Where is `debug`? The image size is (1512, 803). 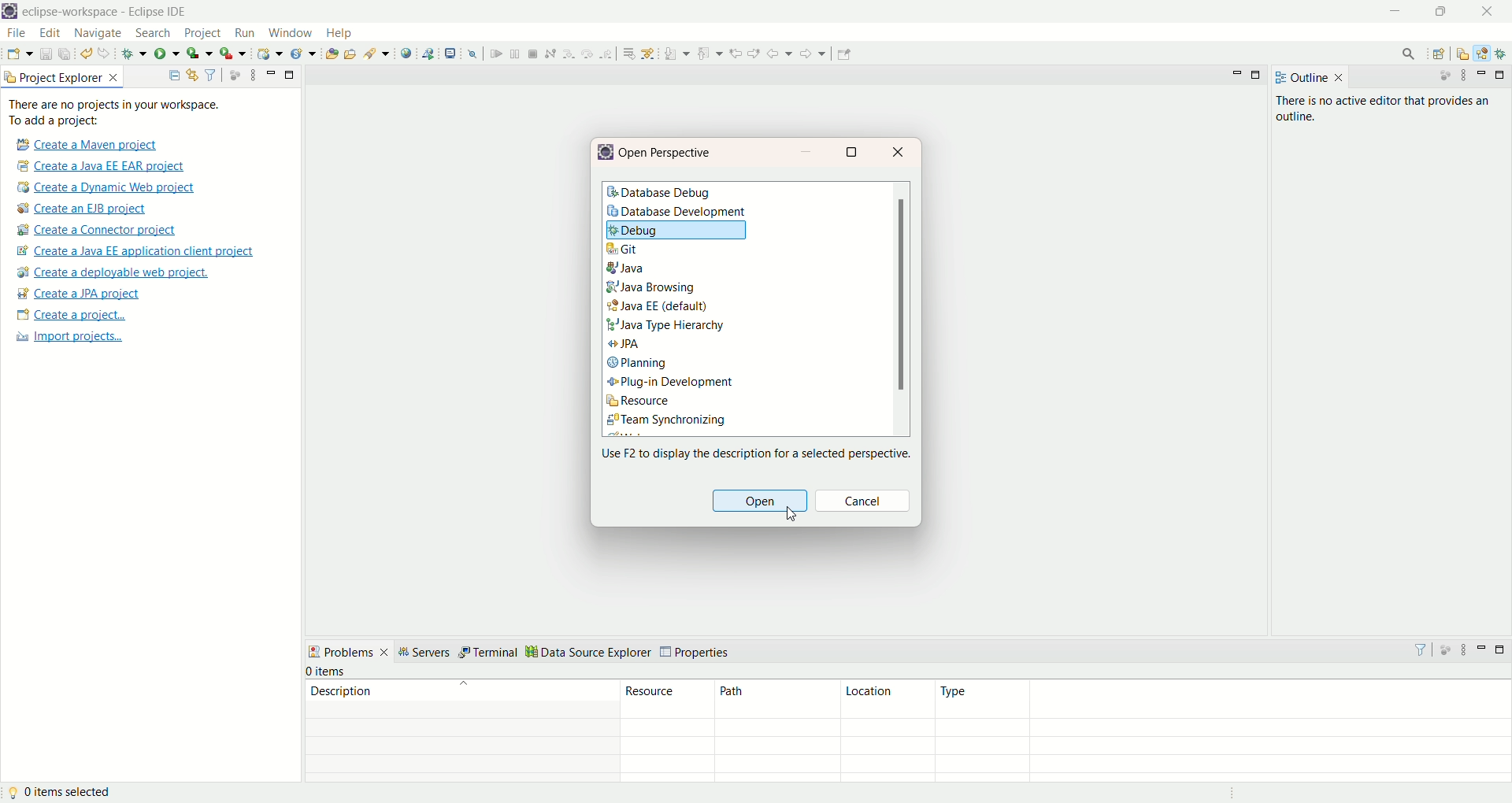 debug is located at coordinates (678, 232).